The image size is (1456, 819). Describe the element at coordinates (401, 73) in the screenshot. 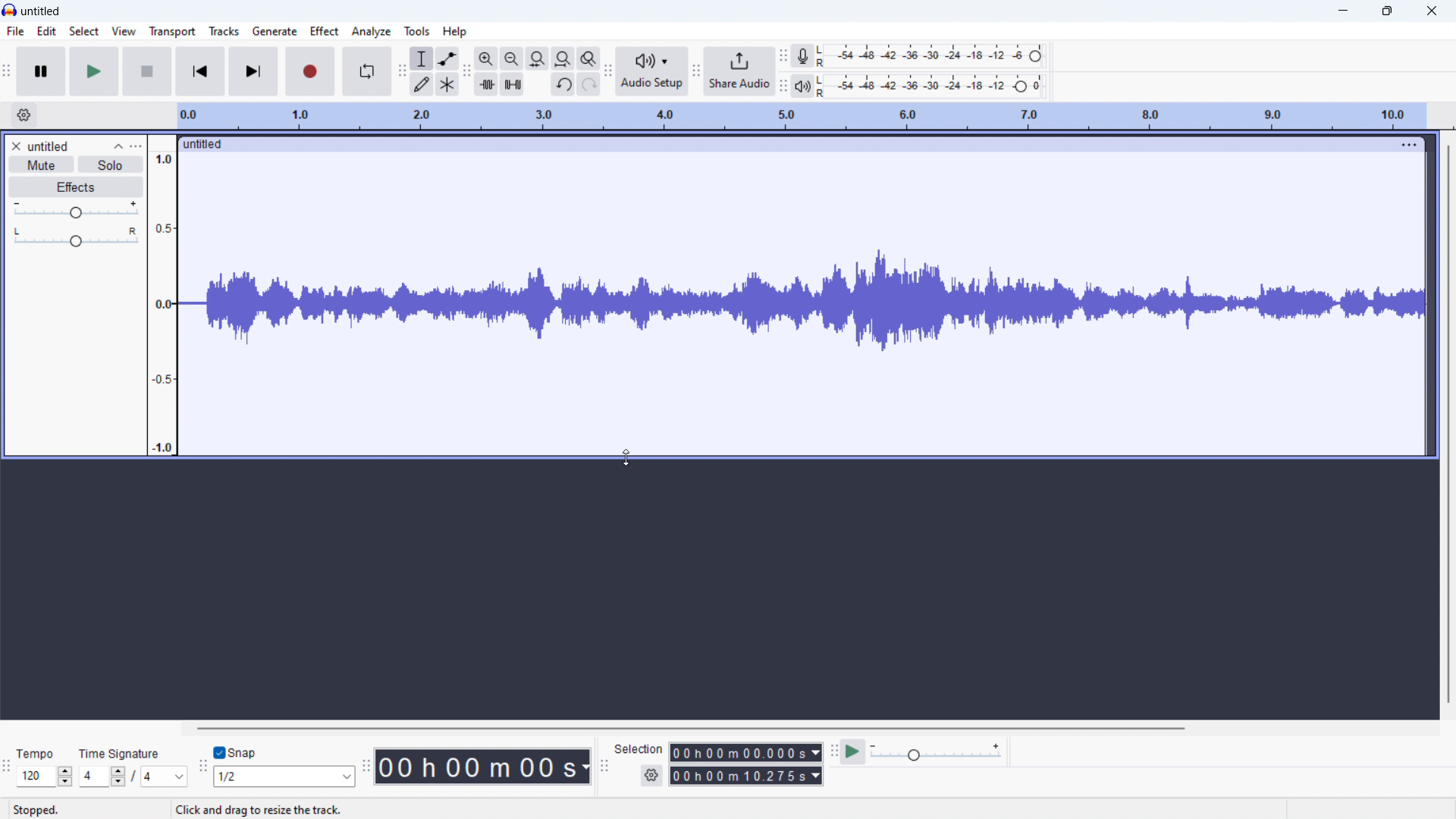

I see `tools toolbar` at that location.